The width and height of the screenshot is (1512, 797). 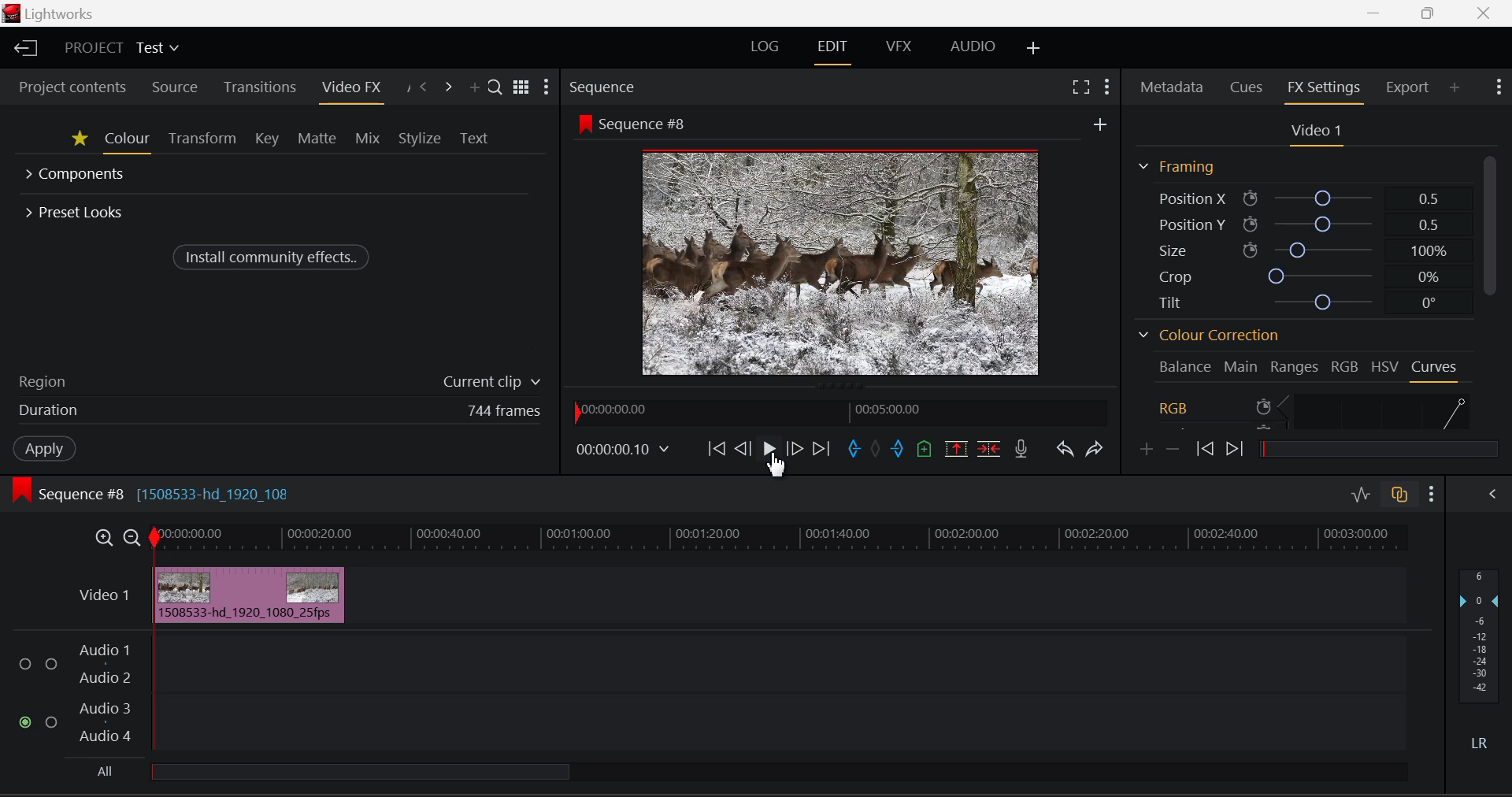 I want to click on Install community effects, so click(x=273, y=256).